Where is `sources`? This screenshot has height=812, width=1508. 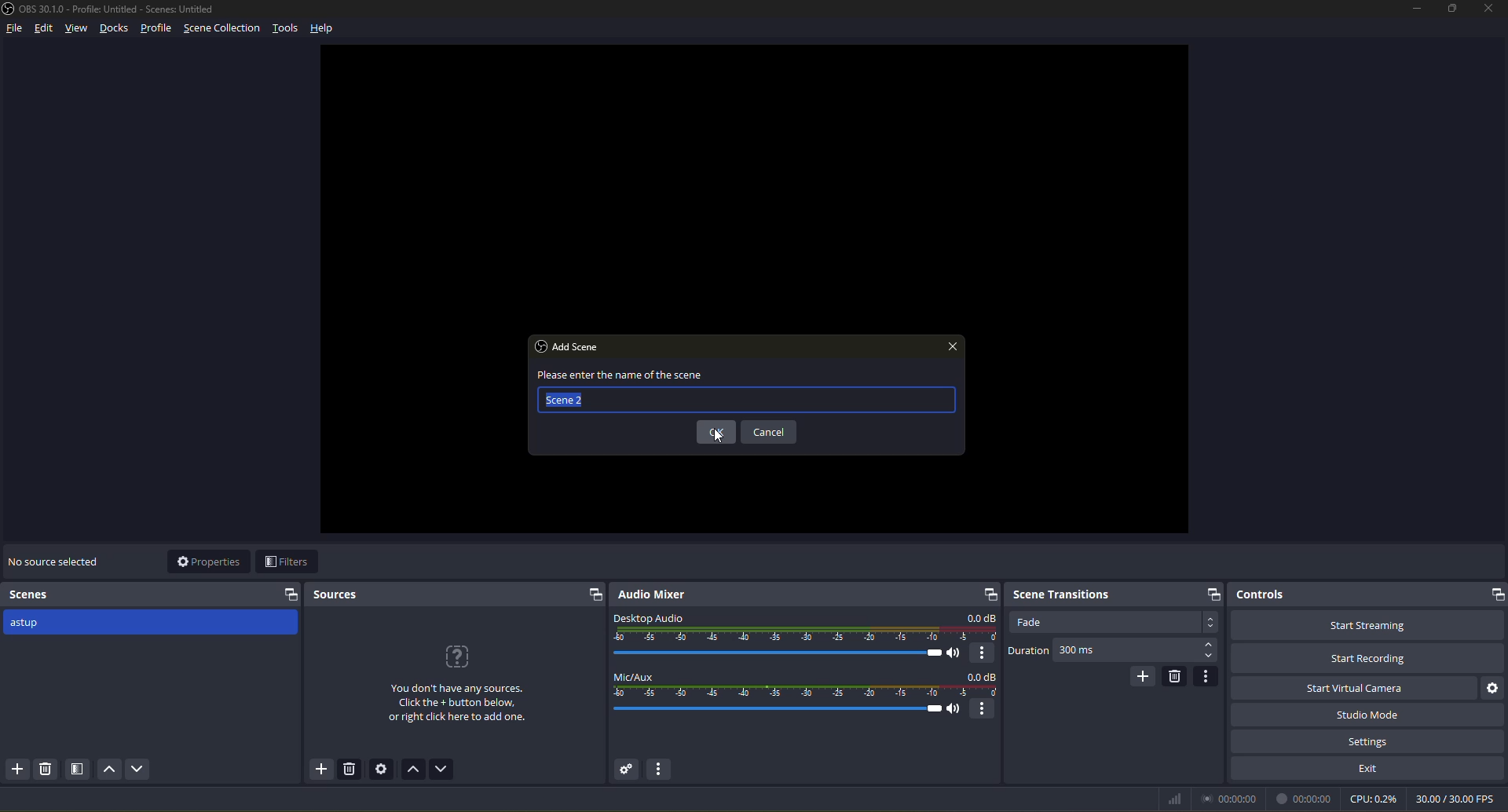 sources is located at coordinates (335, 595).